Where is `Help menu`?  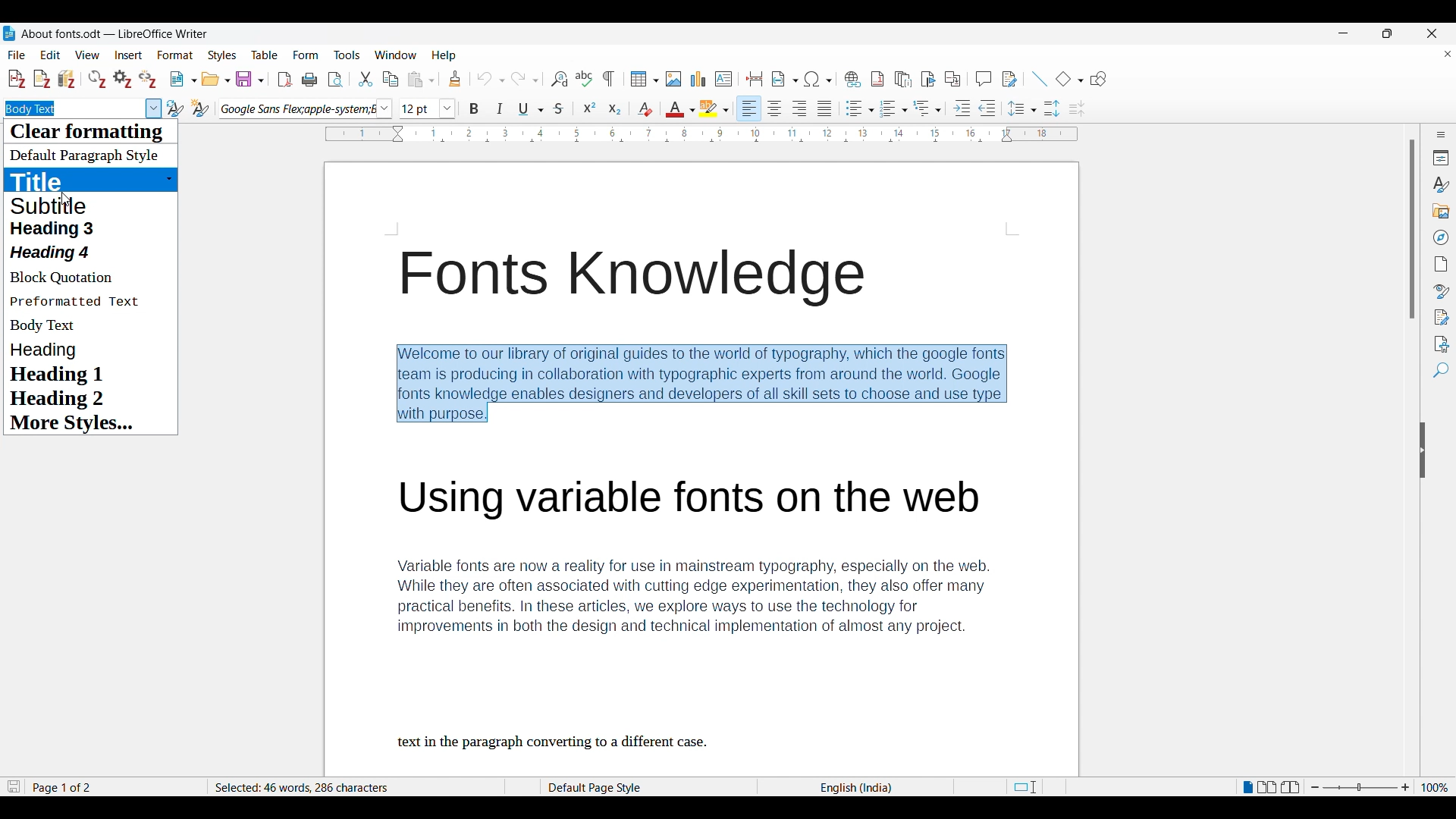 Help menu is located at coordinates (444, 56).